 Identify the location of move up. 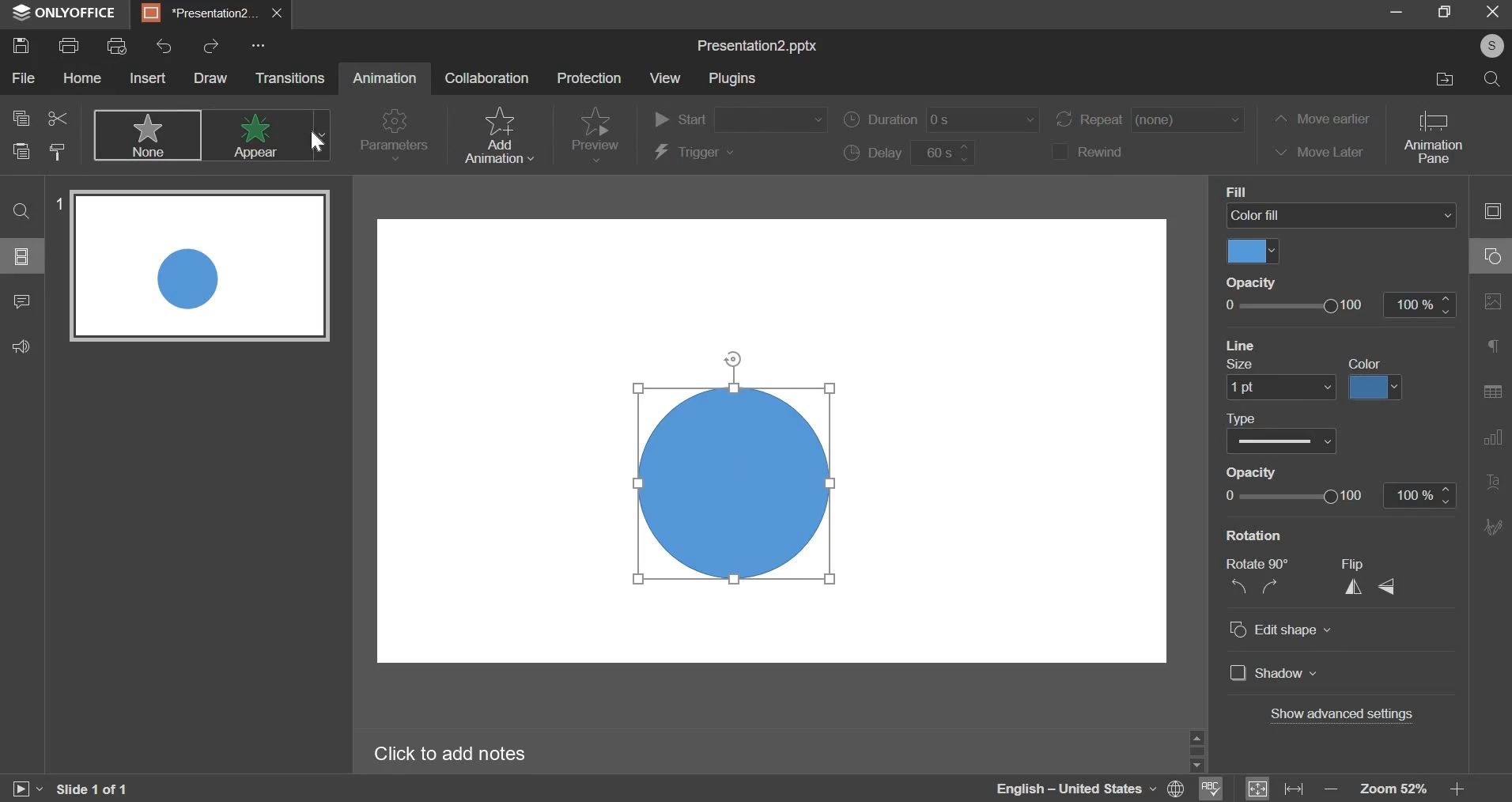
(1200, 736).